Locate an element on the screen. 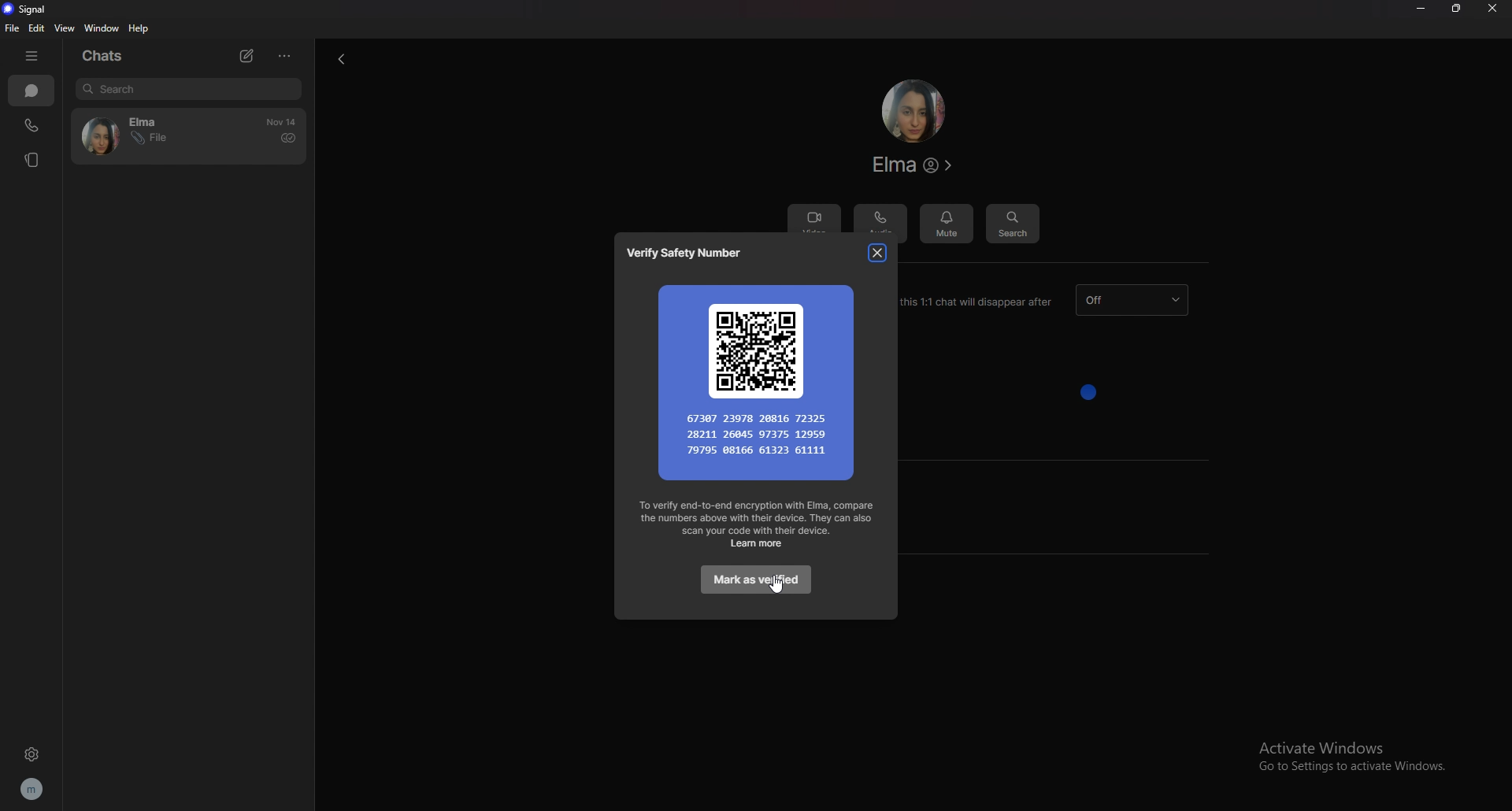  chats is located at coordinates (109, 56).